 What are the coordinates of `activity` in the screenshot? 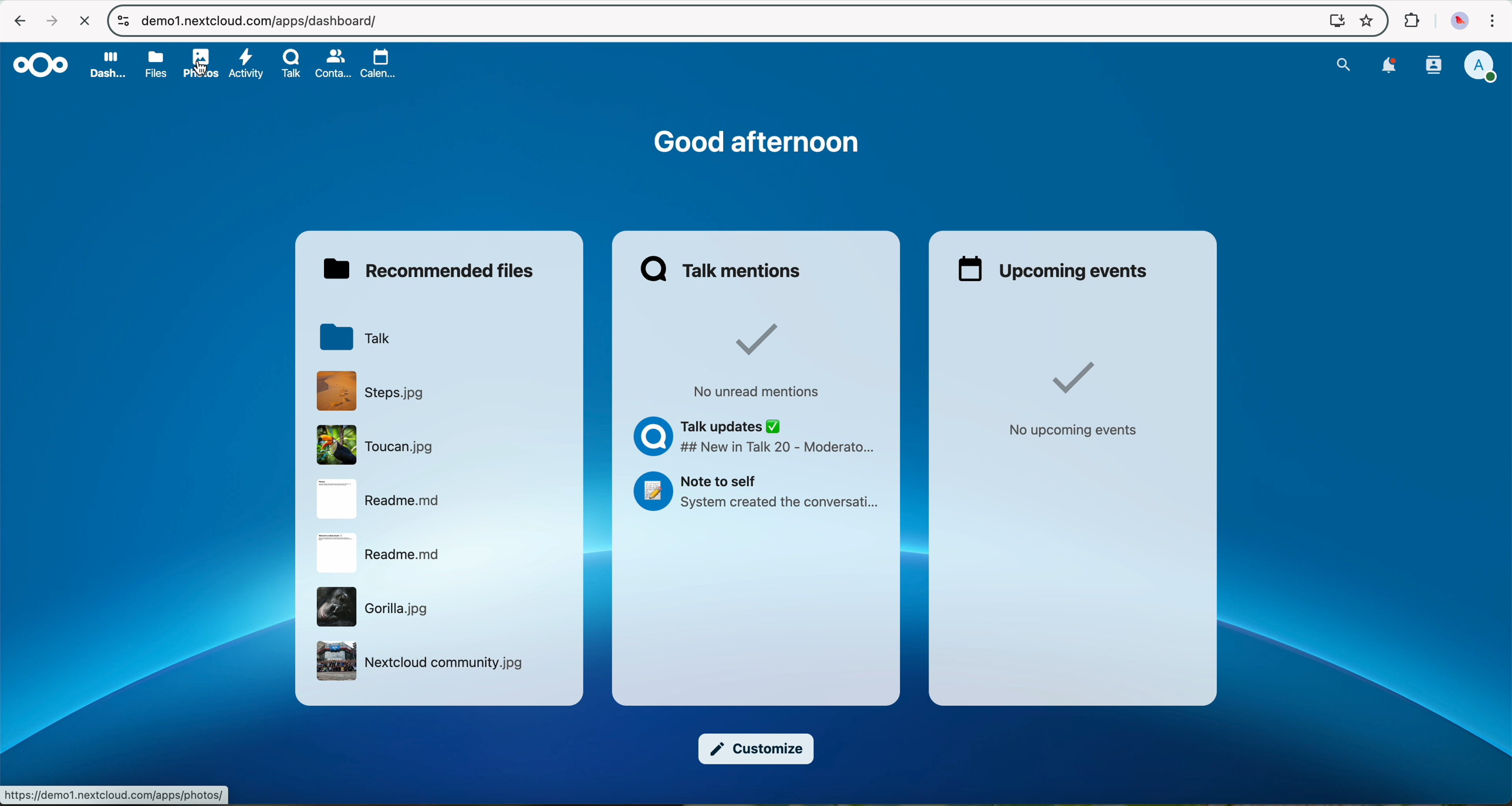 It's located at (245, 63).